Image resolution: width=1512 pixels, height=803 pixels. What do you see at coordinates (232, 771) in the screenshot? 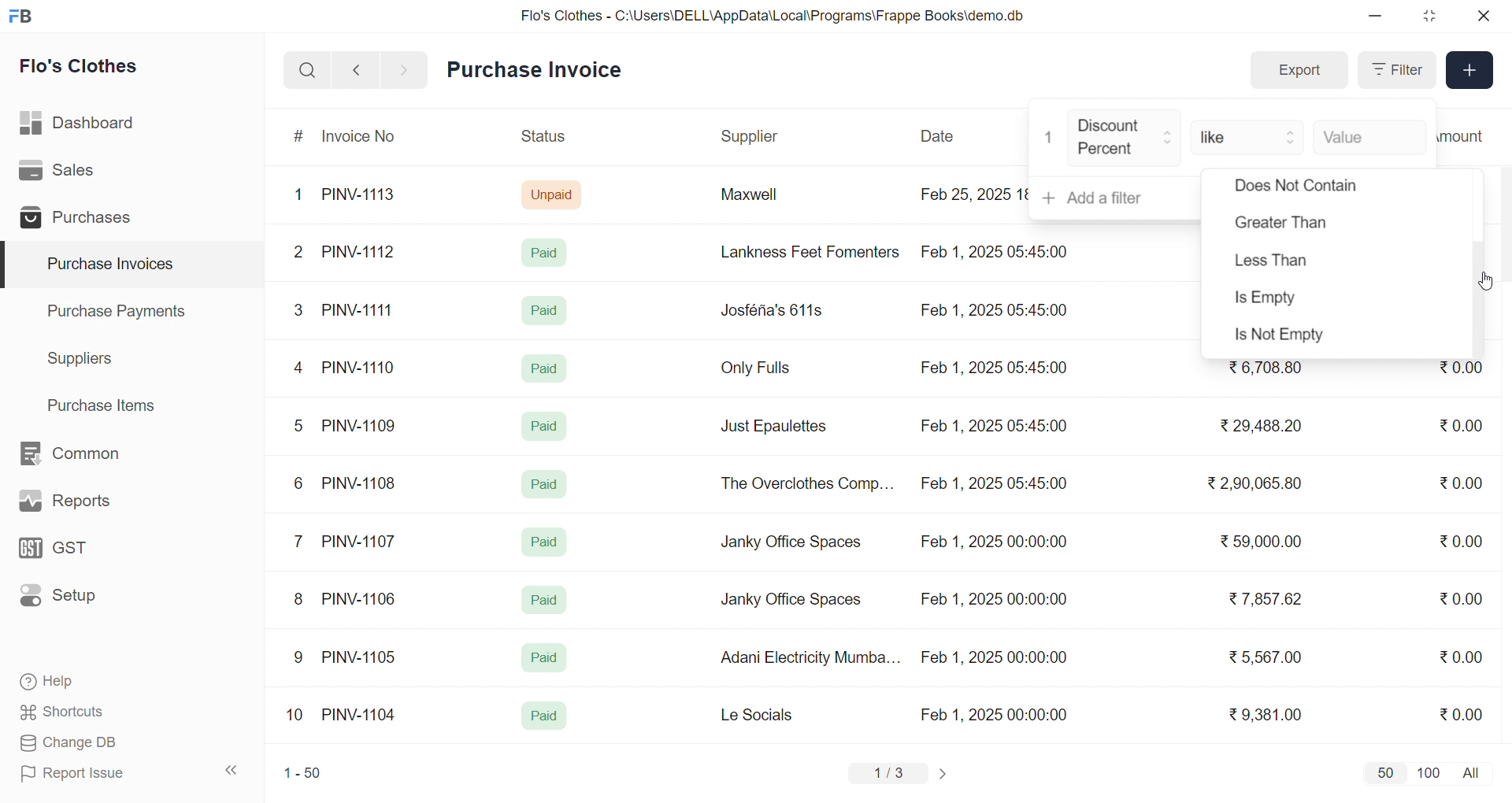
I see `collapse sidebar` at bounding box center [232, 771].